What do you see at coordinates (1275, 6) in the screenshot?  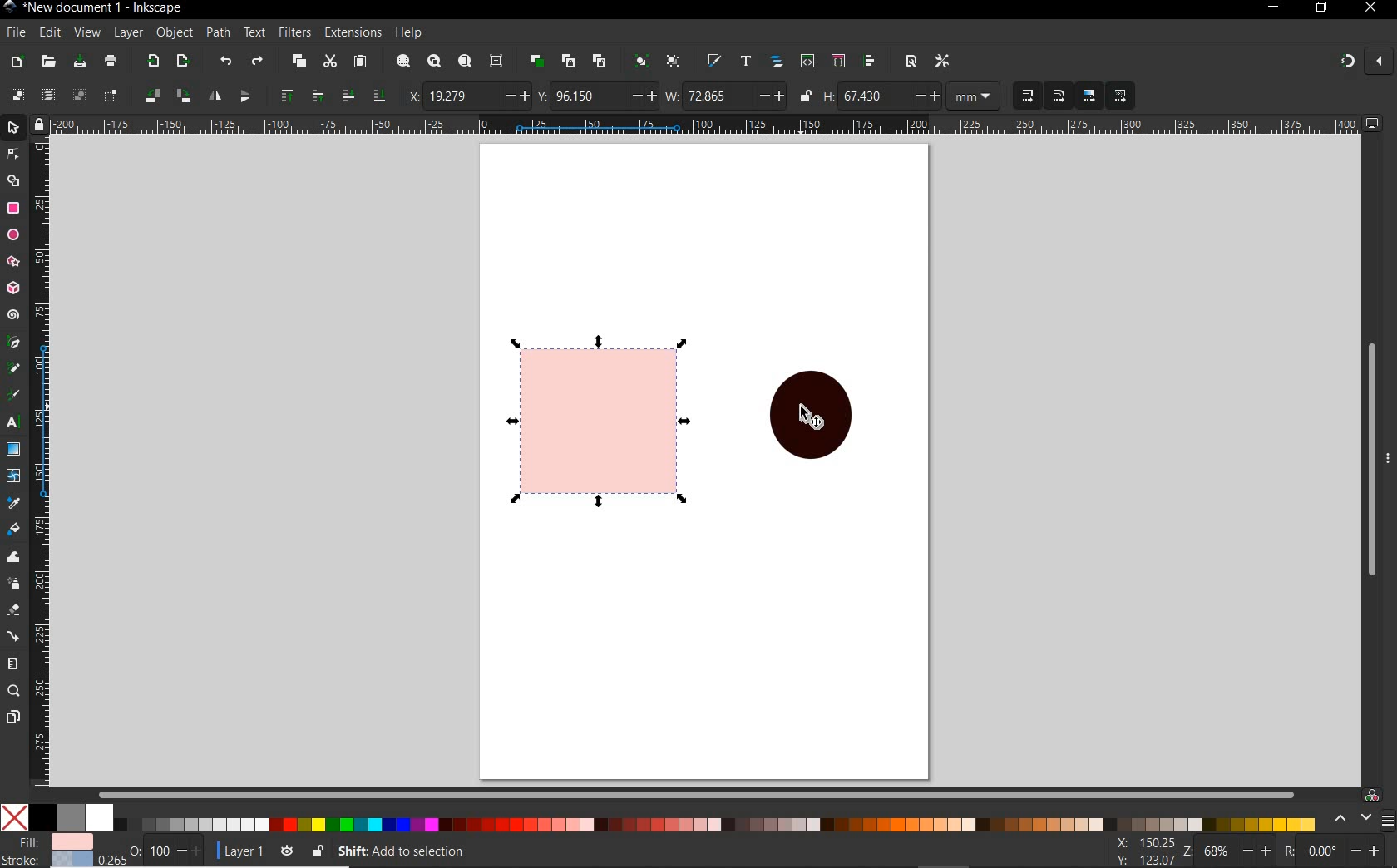 I see `minimize` at bounding box center [1275, 6].